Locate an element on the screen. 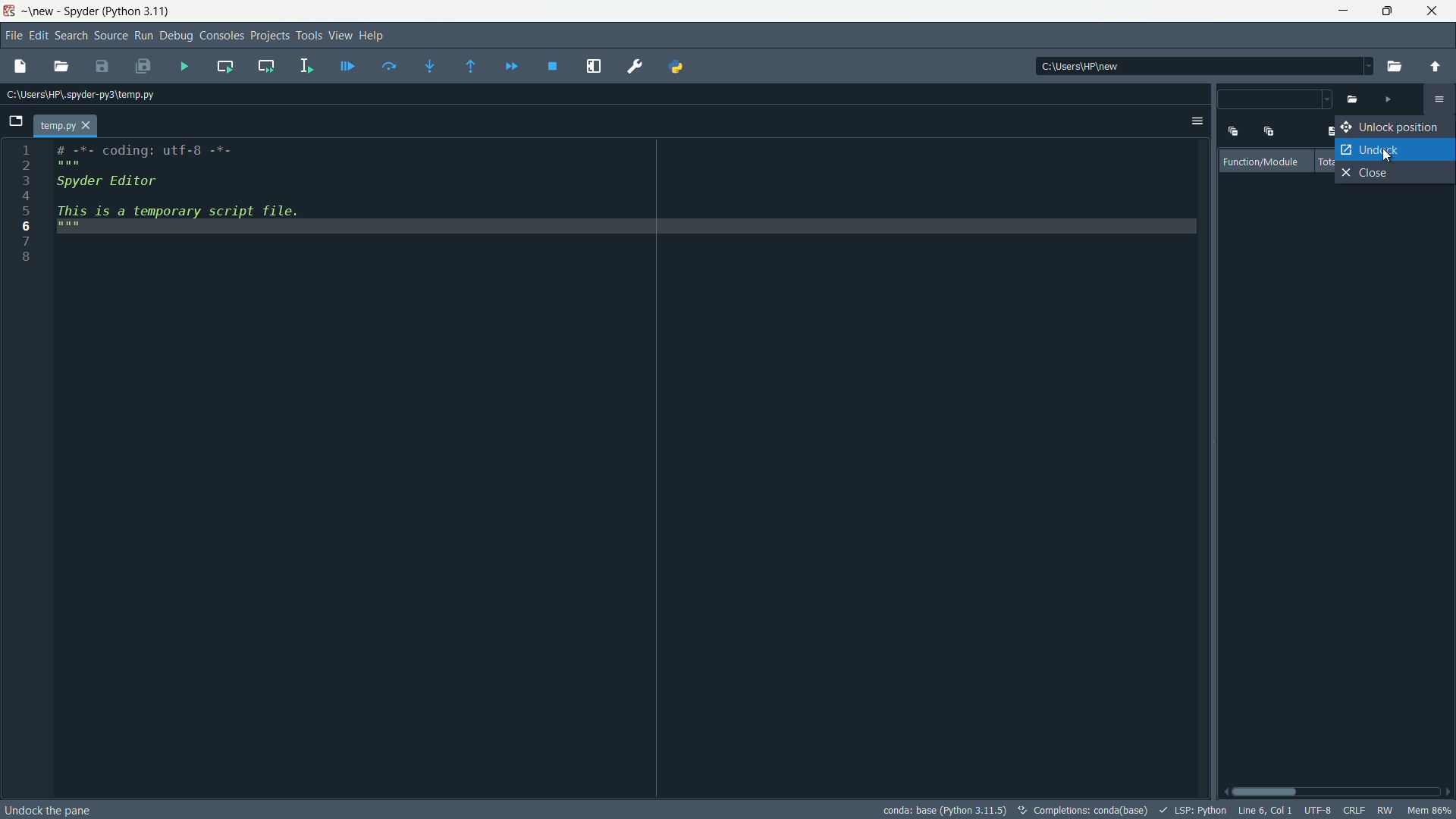 This screenshot has height=819, width=1456. stop debugging is located at coordinates (553, 66).